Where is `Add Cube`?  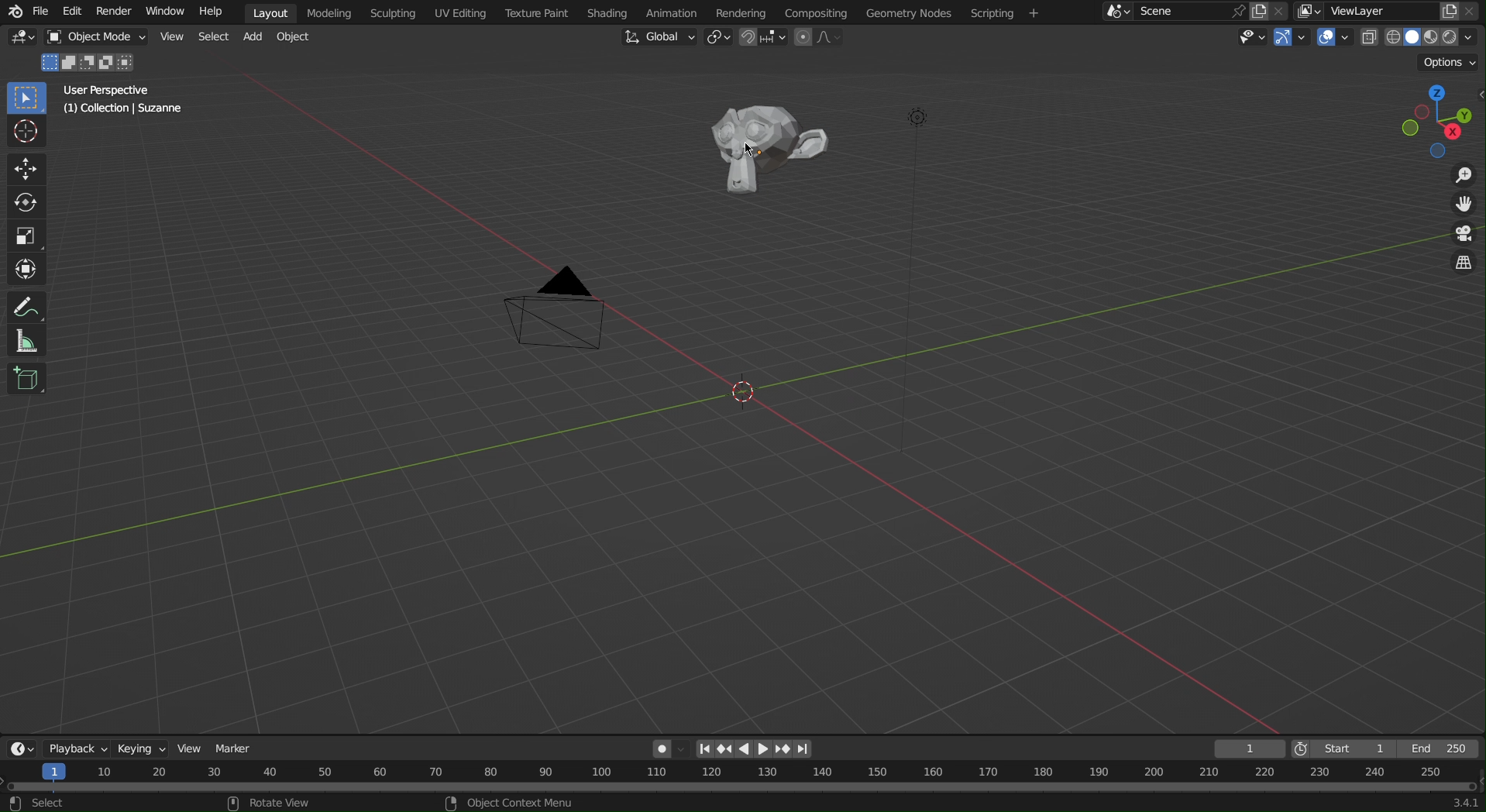 Add Cube is located at coordinates (25, 379).